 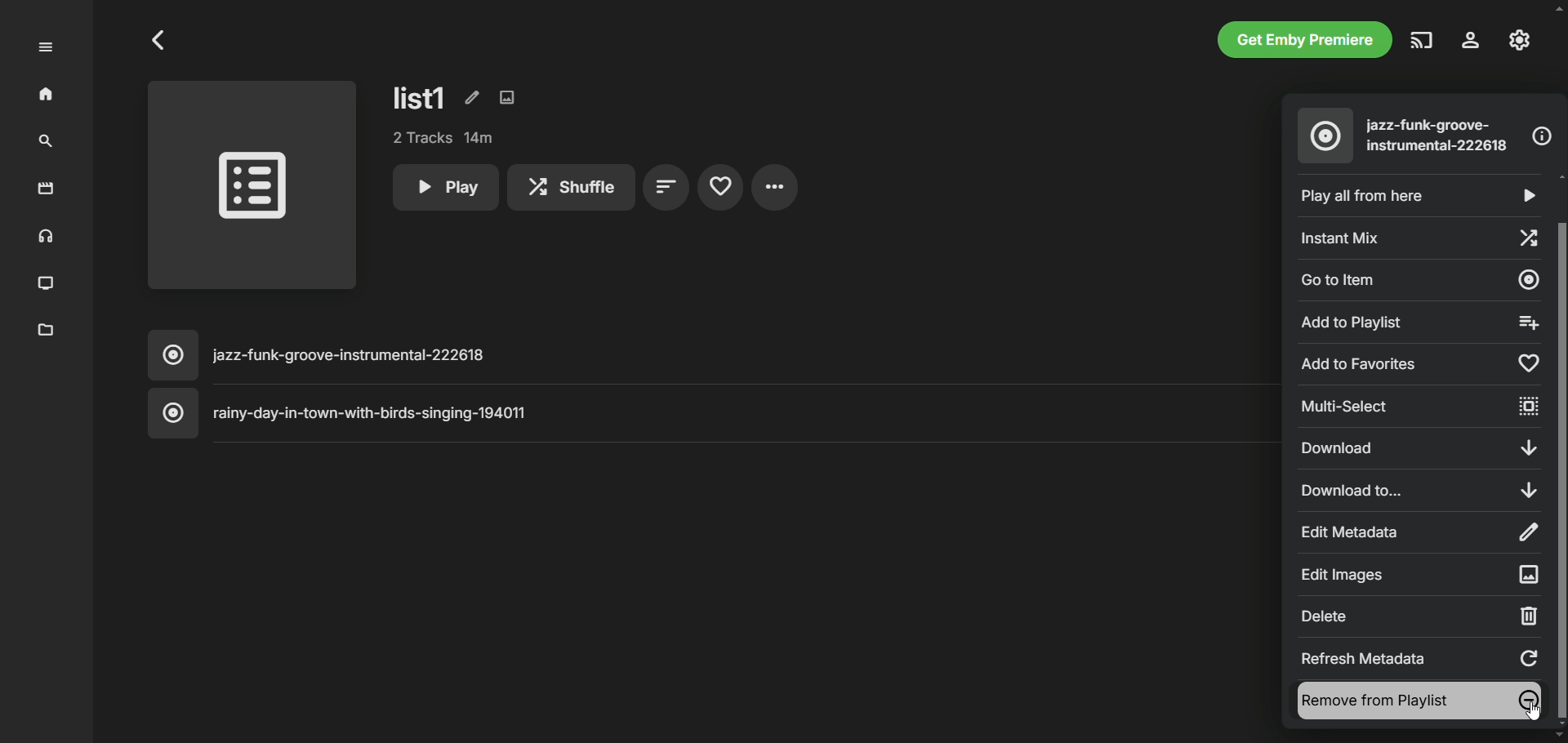 What do you see at coordinates (1534, 711) in the screenshot?
I see `Cursor` at bounding box center [1534, 711].